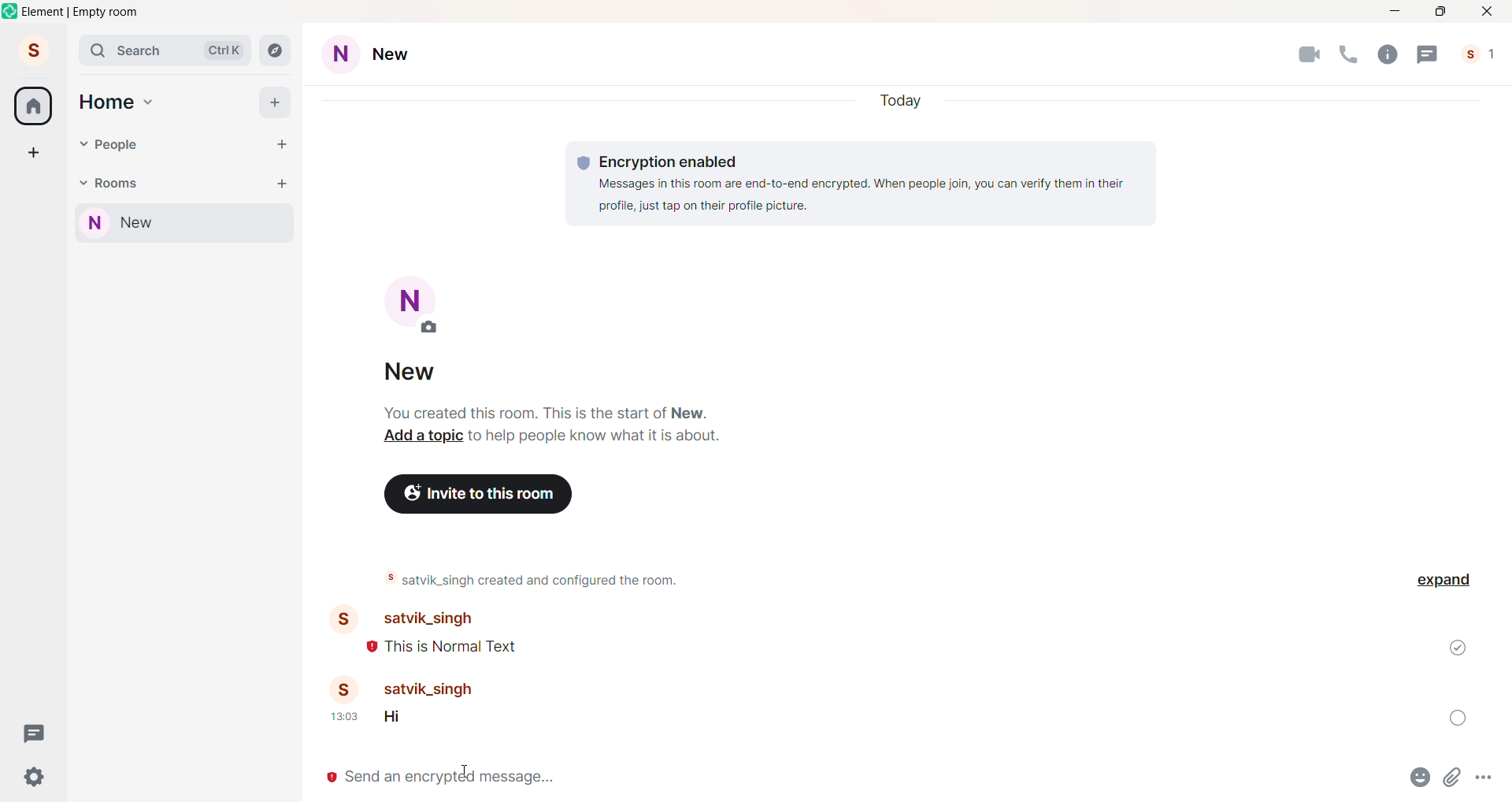 This screenshot has height=802, width=1512. I want to click on element | empty room, so click(81, 12).